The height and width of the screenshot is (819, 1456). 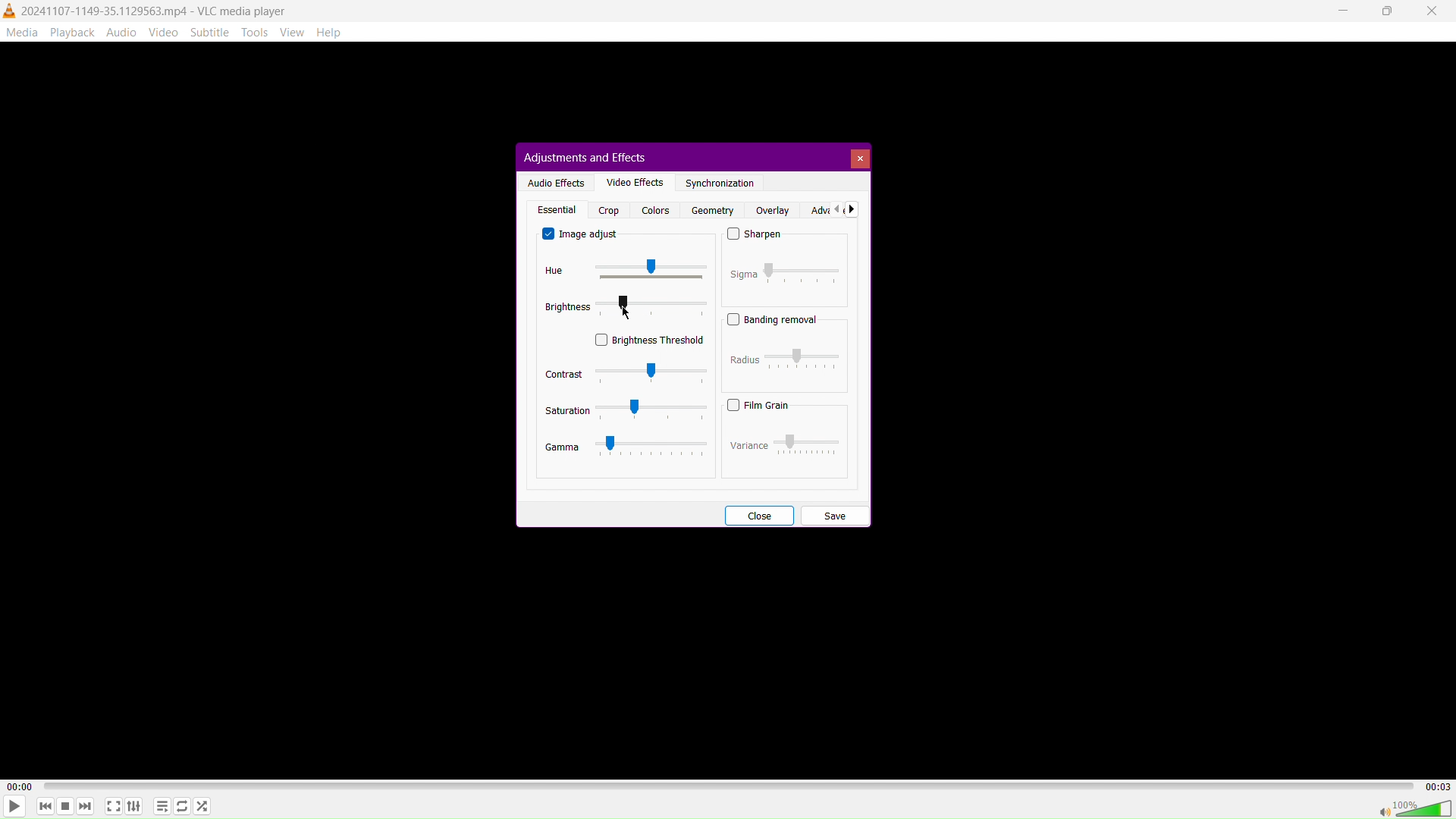 I want to click on Video Effects, so click(x=632, y=181).